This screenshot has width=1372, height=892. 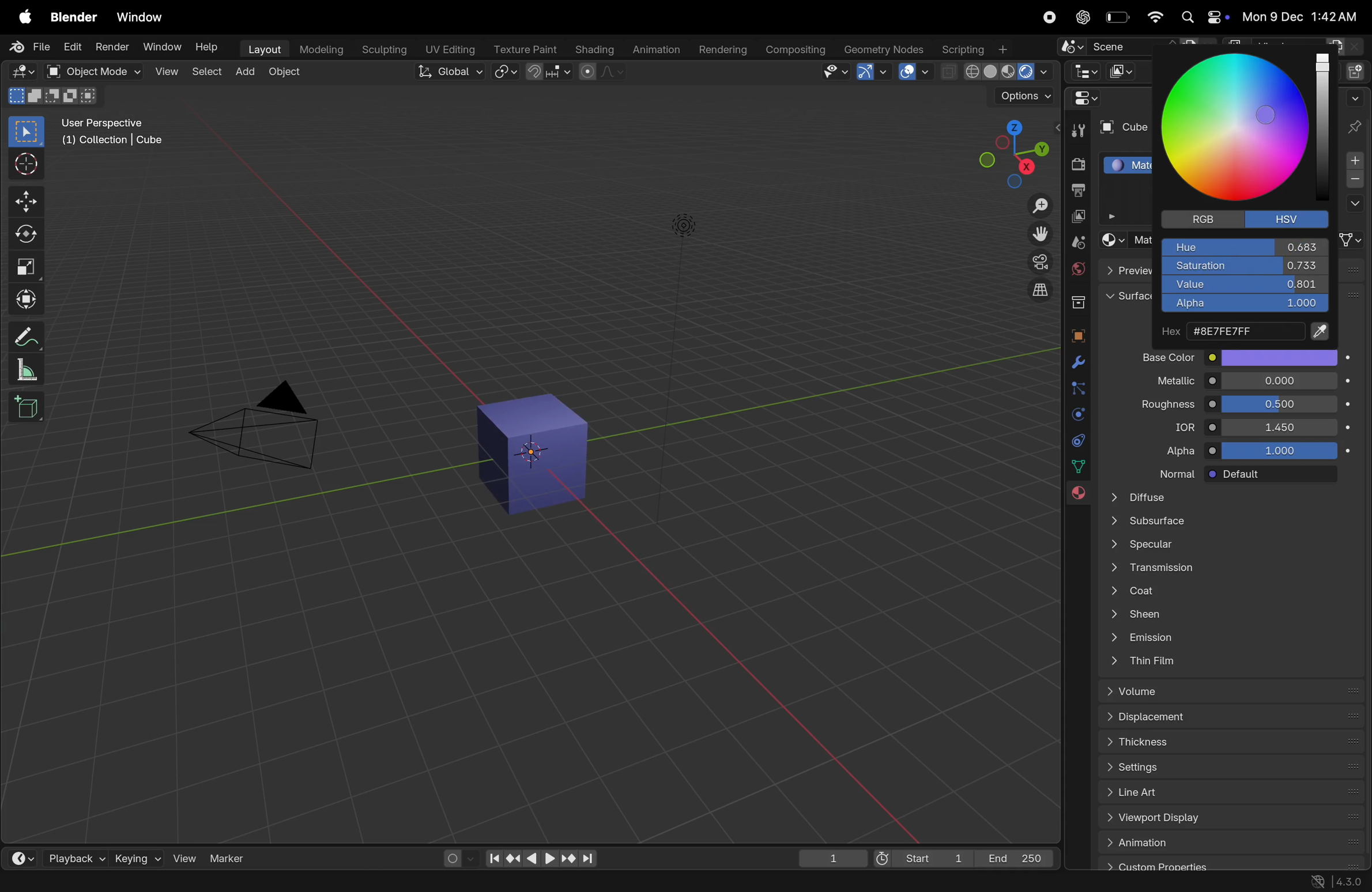 I want to click on play back controls, so click(x=541, y=860).